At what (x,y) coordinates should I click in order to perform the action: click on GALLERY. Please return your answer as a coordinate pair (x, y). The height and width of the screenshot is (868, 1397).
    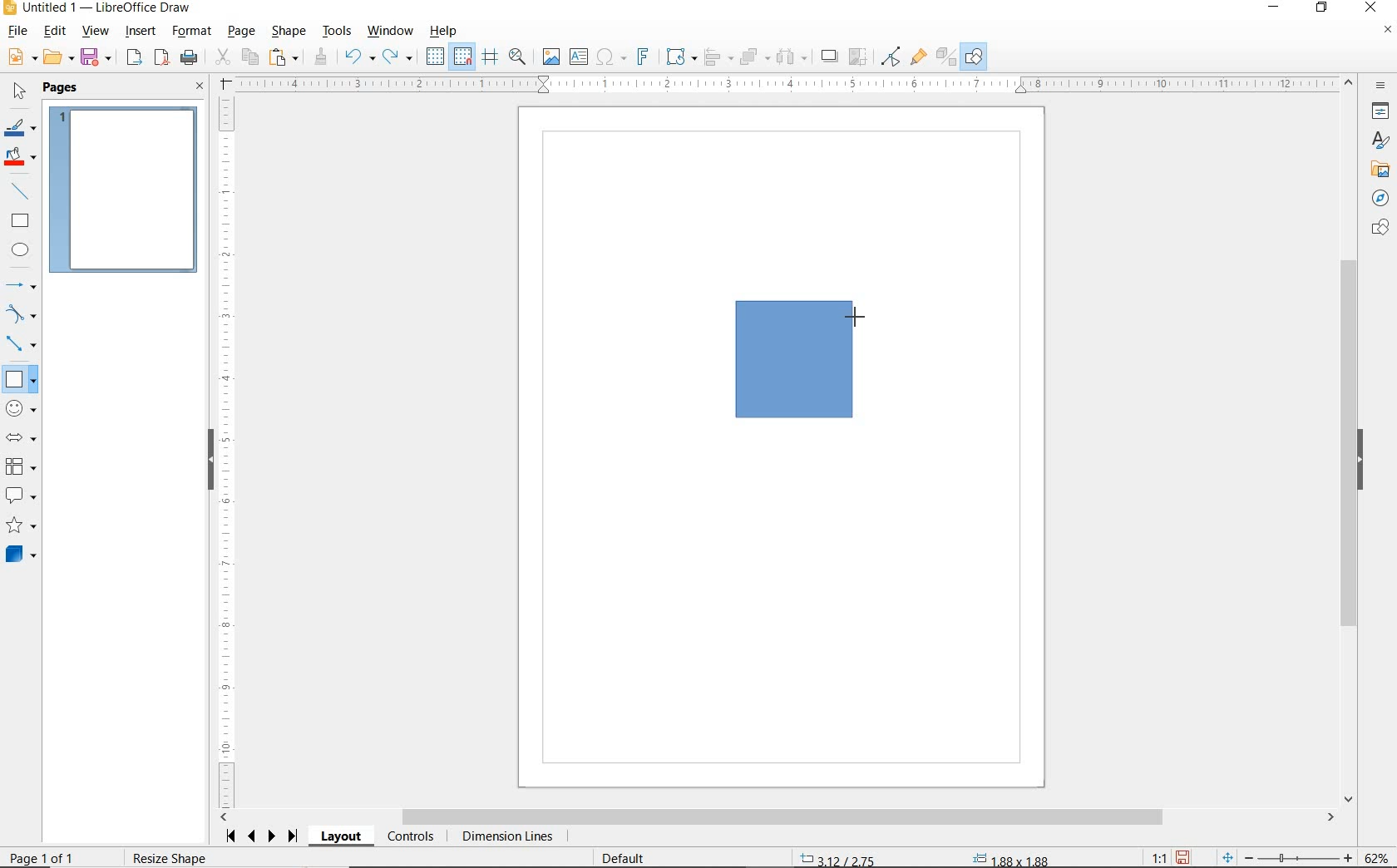
    Looking at the image, I should click on (1378, 168).